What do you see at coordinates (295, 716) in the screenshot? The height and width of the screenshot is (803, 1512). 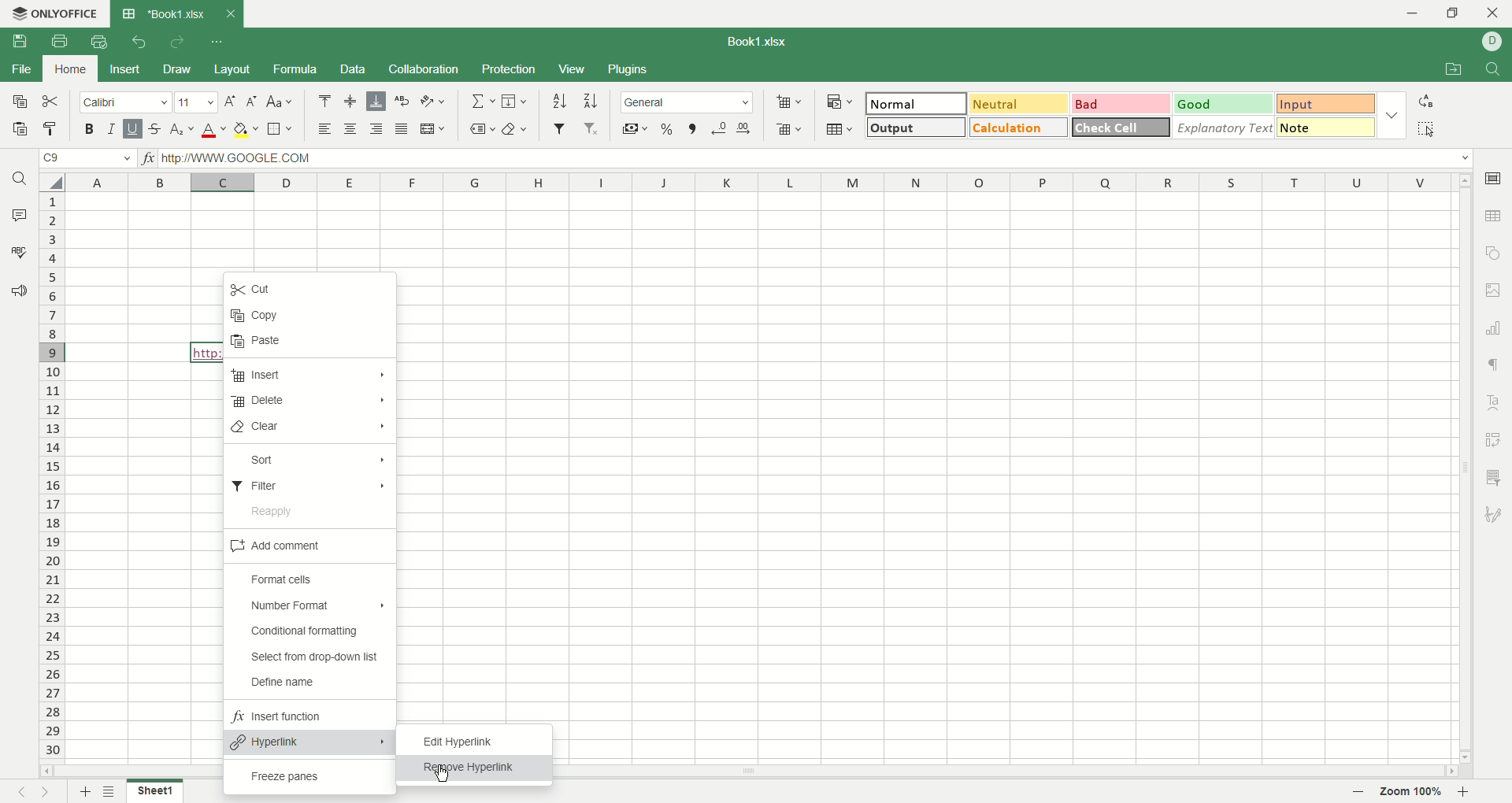 I see `insert function` at bounding box center [295, 716].